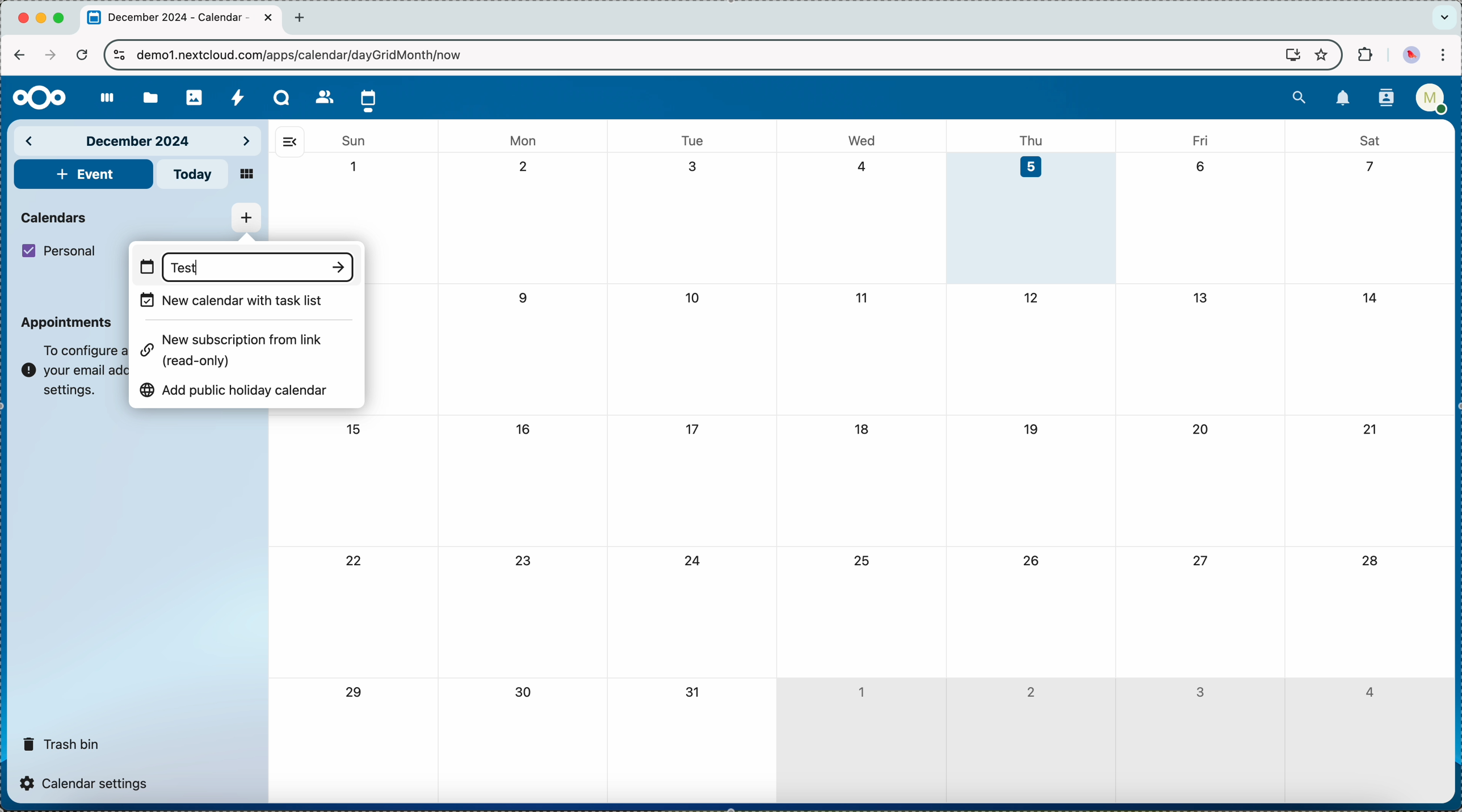  What do you see at coordinates (1199, 140) in the screenshot?
I see `fri` at bounding box center [1199, 140].